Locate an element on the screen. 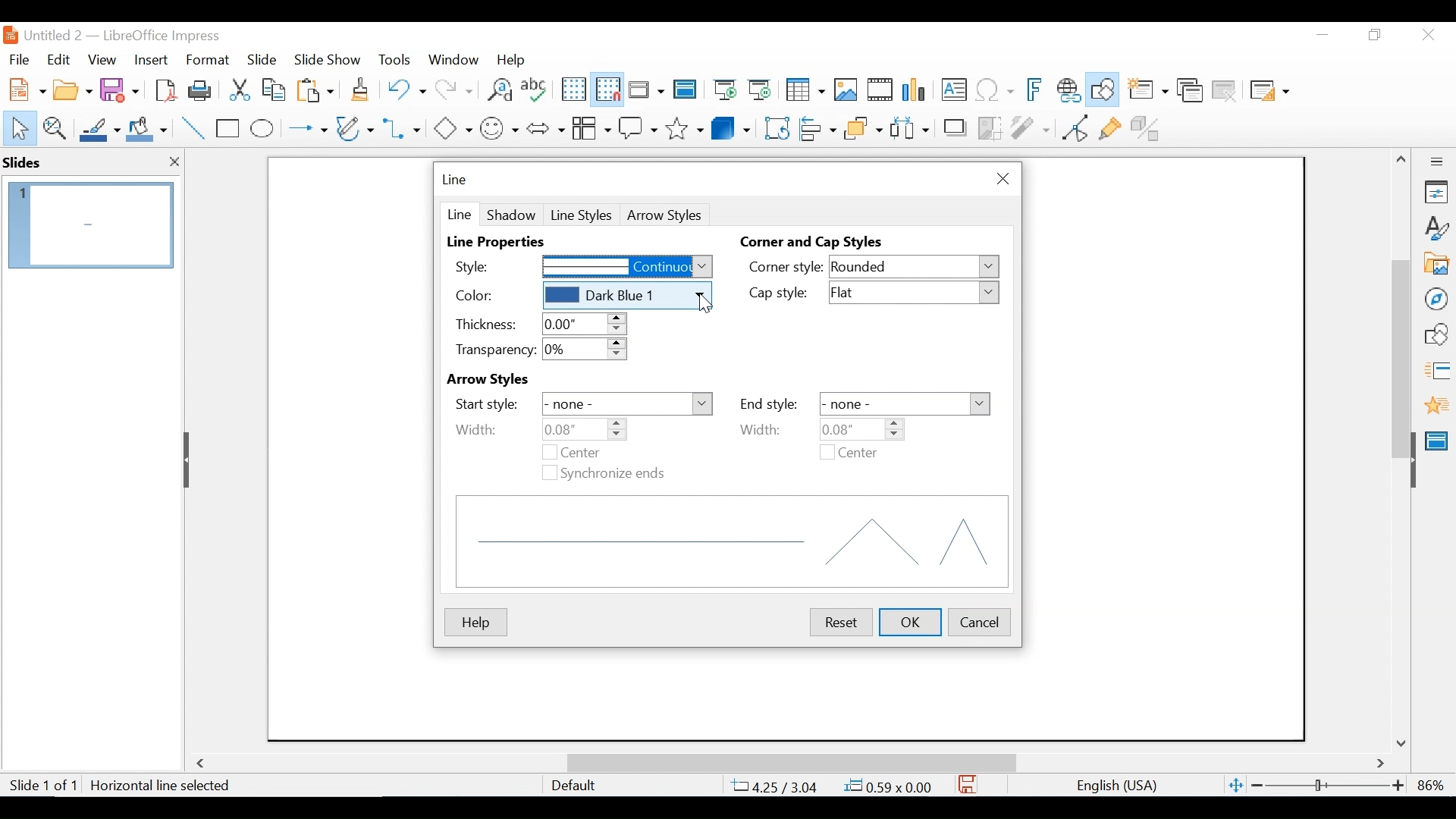  Insert Image is located at coordinates (845, 90).